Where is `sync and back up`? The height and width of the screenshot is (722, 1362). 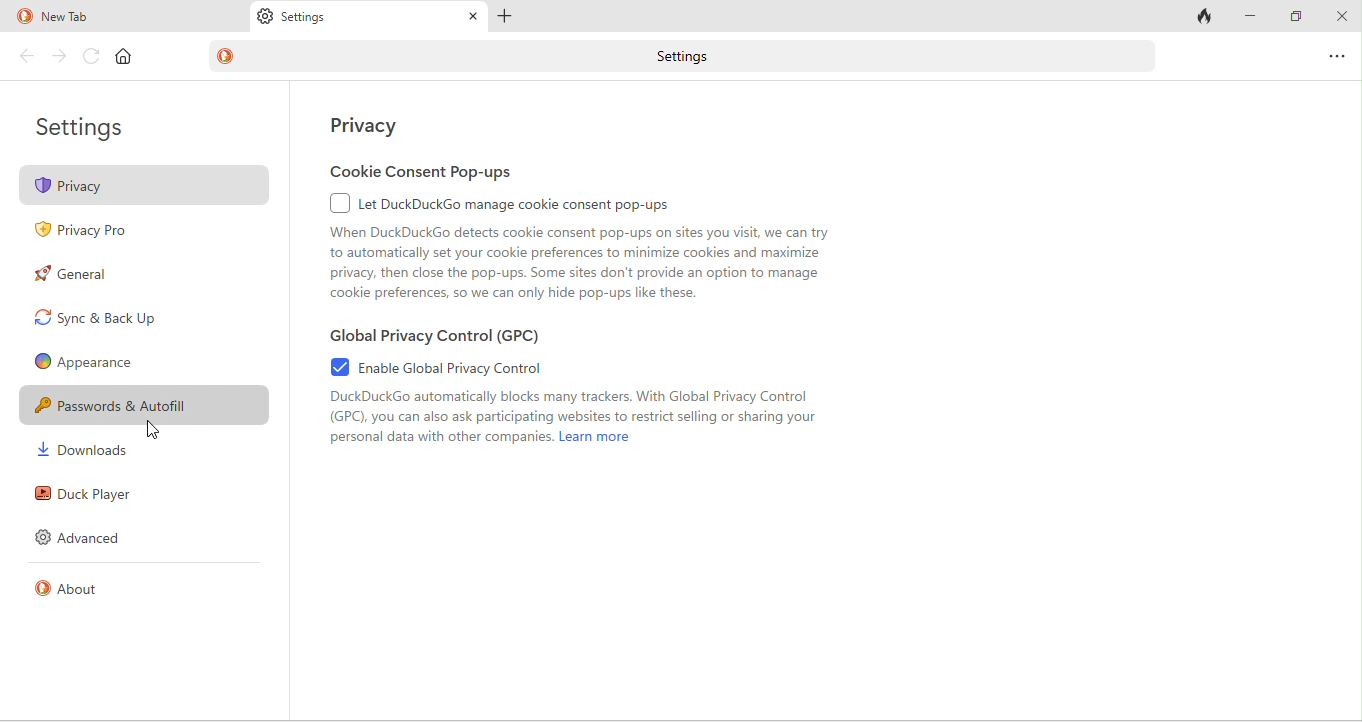
sync and back up is located at coordinates (109, 320).